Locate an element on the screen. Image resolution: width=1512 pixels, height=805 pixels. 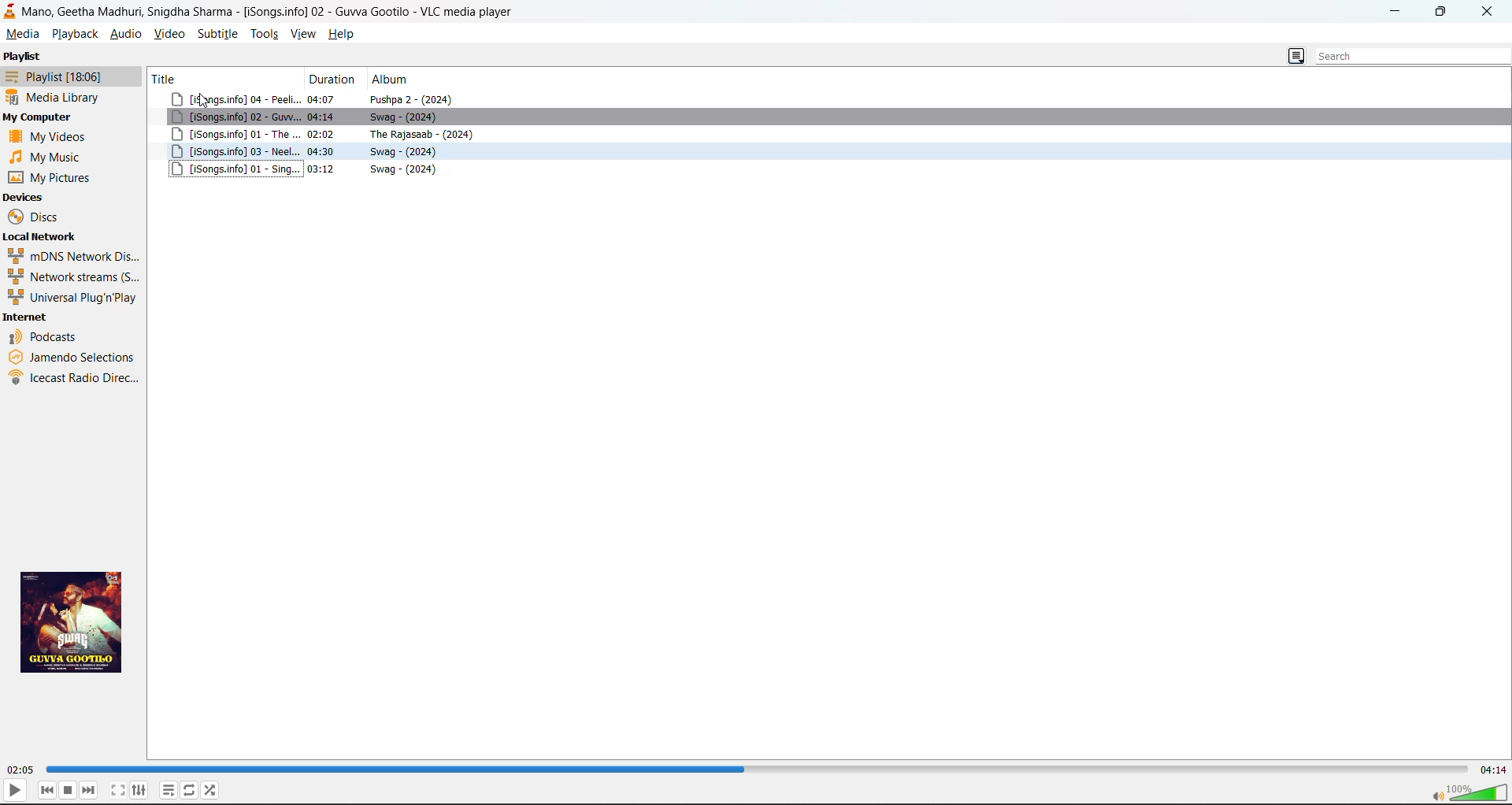
mdns network is located at coordinates (72, 255).